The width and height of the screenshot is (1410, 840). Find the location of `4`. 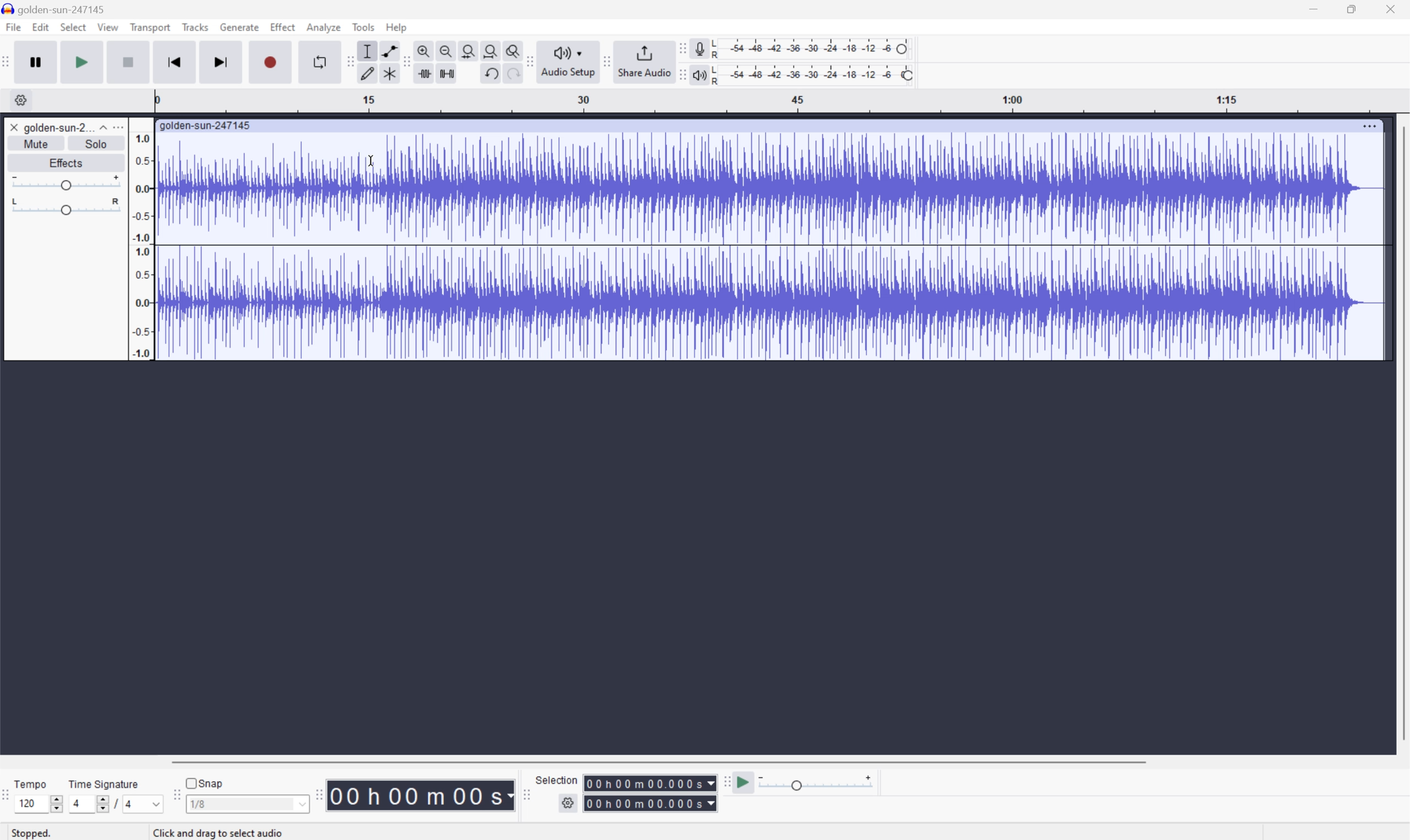

4 is located at coordinates (130, 805).